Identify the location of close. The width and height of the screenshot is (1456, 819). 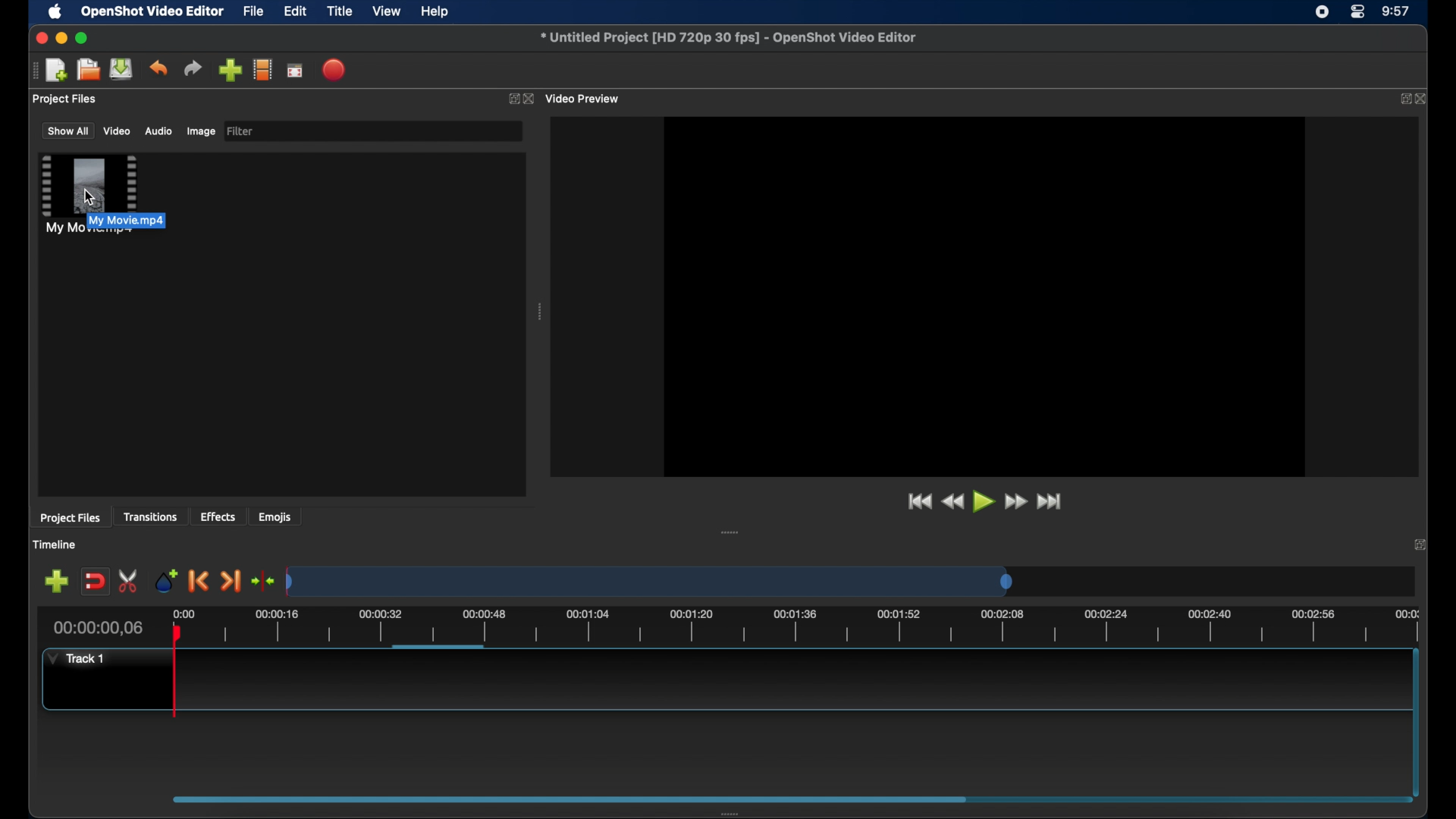
(39, 38).